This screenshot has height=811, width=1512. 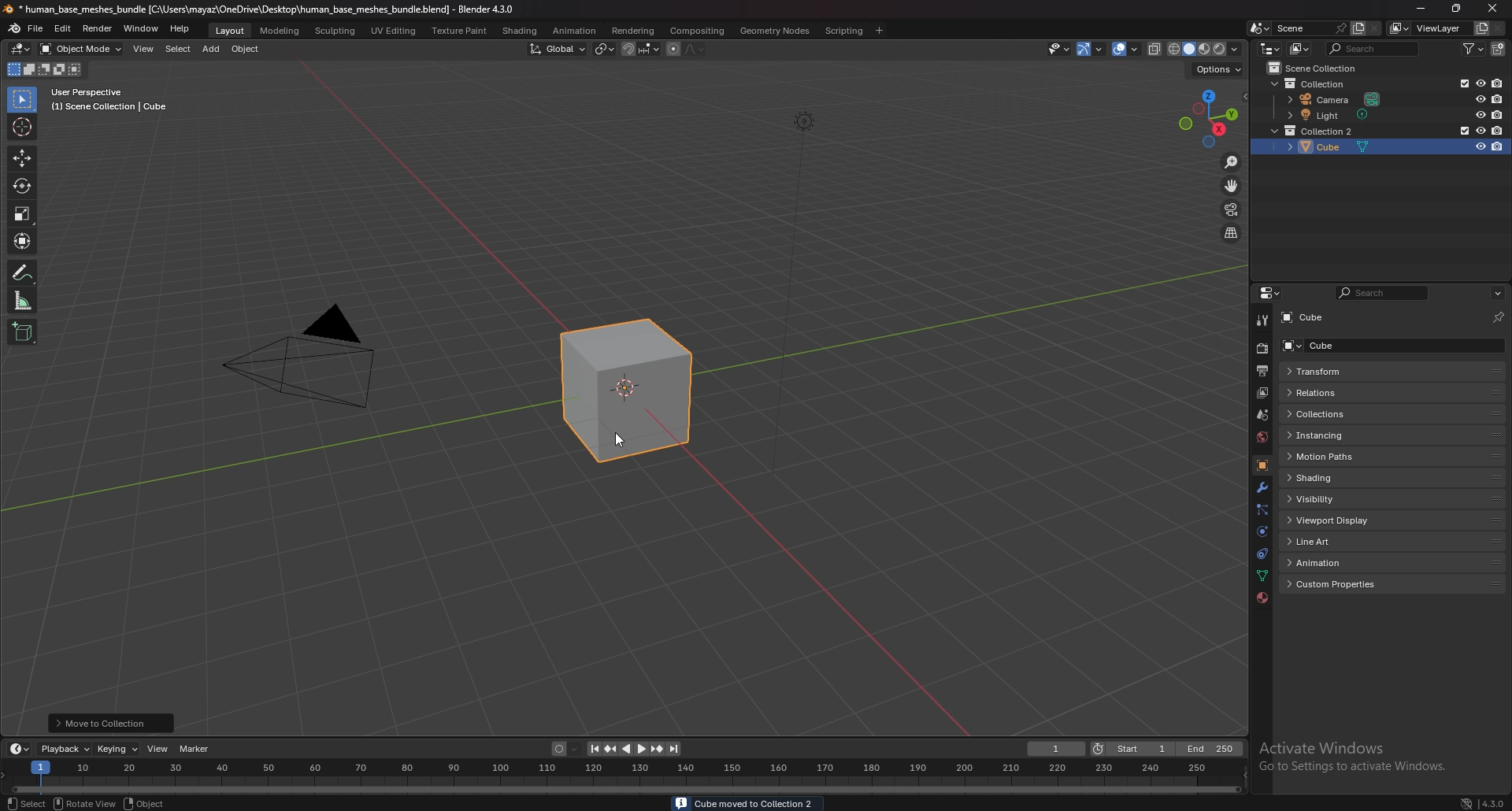 What do you see at coordinates (676, 750) in the screenshot?
I see `jump to endpoint` at bounding box center [676, 750].